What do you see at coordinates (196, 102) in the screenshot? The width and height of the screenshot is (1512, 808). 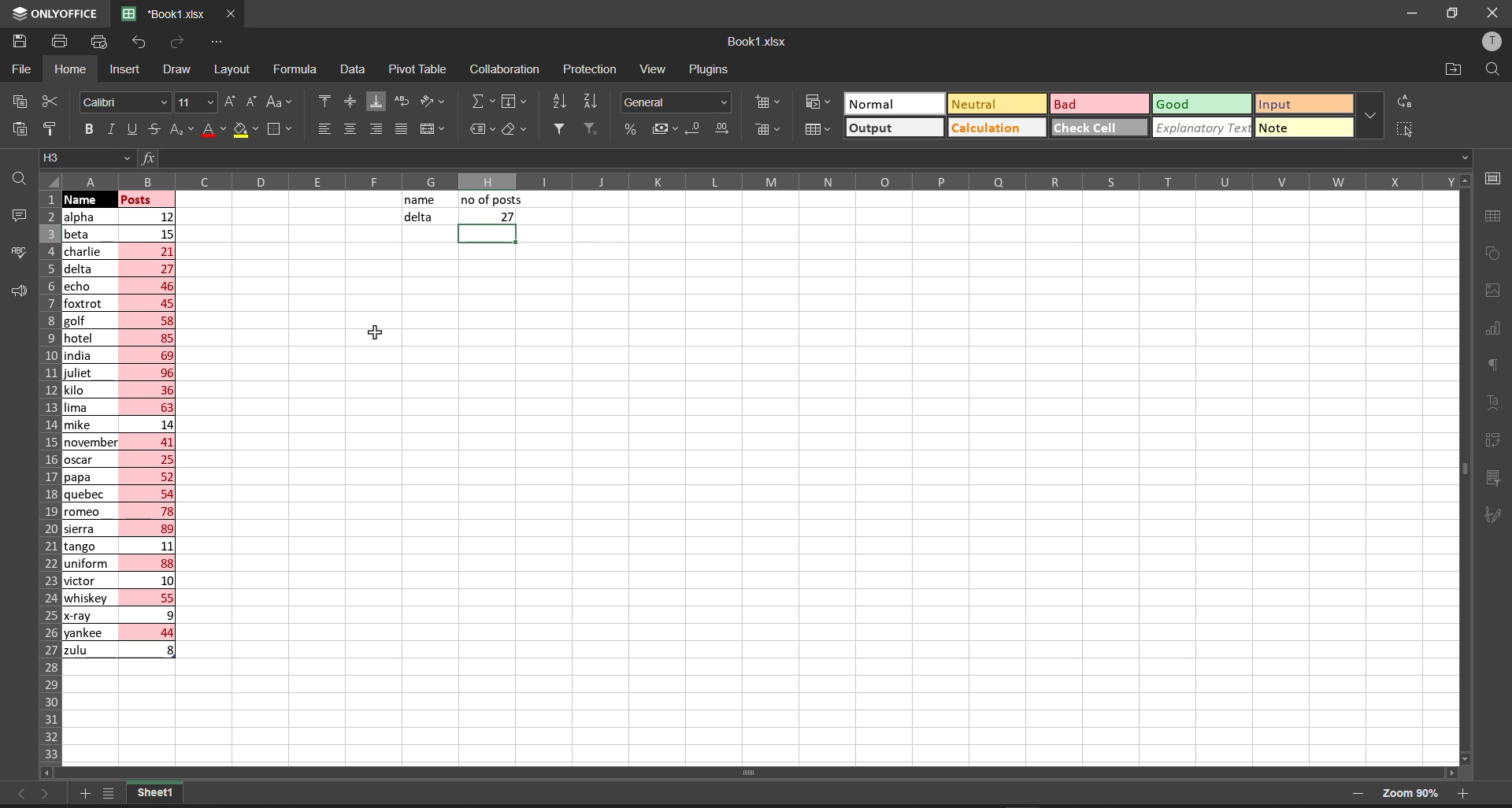 I see `font size` at bounding box center [196, 102].